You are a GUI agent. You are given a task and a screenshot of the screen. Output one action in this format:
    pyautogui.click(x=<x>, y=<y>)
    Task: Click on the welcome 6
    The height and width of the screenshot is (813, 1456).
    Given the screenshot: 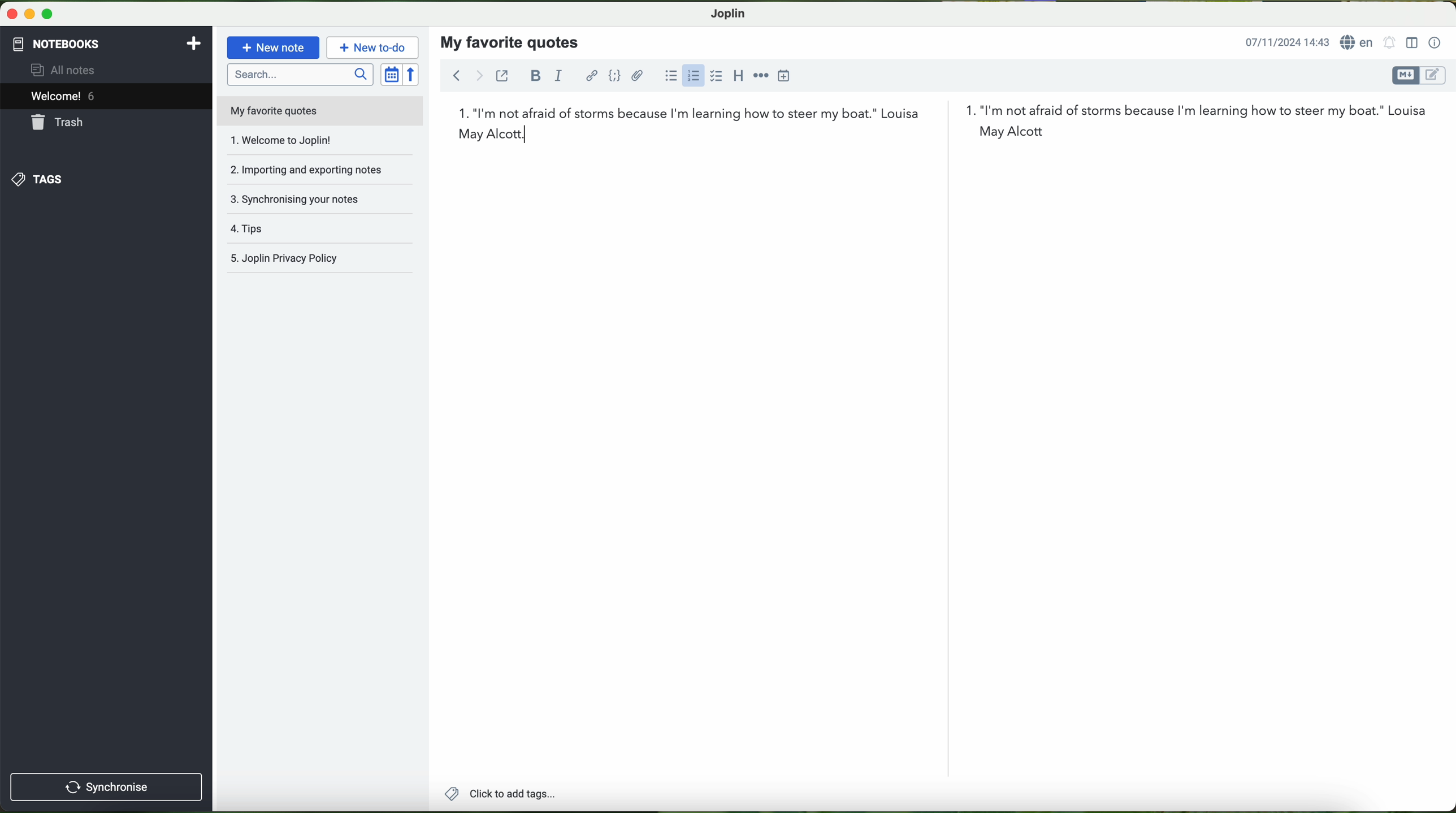 What is the action you would take?
    pyautogui.click(x=110, y=96)
    